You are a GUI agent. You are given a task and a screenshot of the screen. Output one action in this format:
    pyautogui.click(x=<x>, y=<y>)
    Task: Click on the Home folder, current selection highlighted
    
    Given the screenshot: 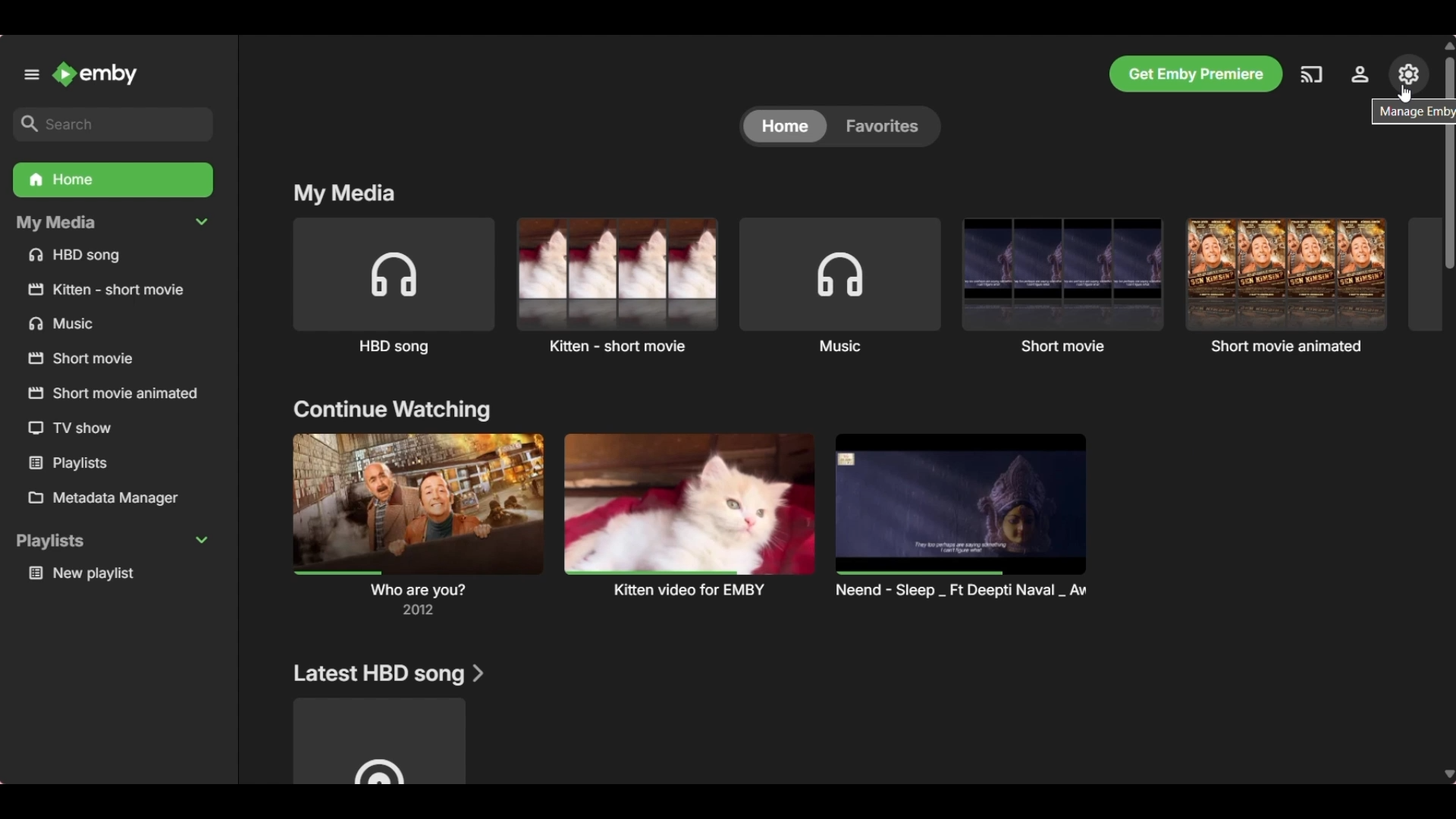 What is the action you would take?
    pyautogui.click(x=114, y=180)
    